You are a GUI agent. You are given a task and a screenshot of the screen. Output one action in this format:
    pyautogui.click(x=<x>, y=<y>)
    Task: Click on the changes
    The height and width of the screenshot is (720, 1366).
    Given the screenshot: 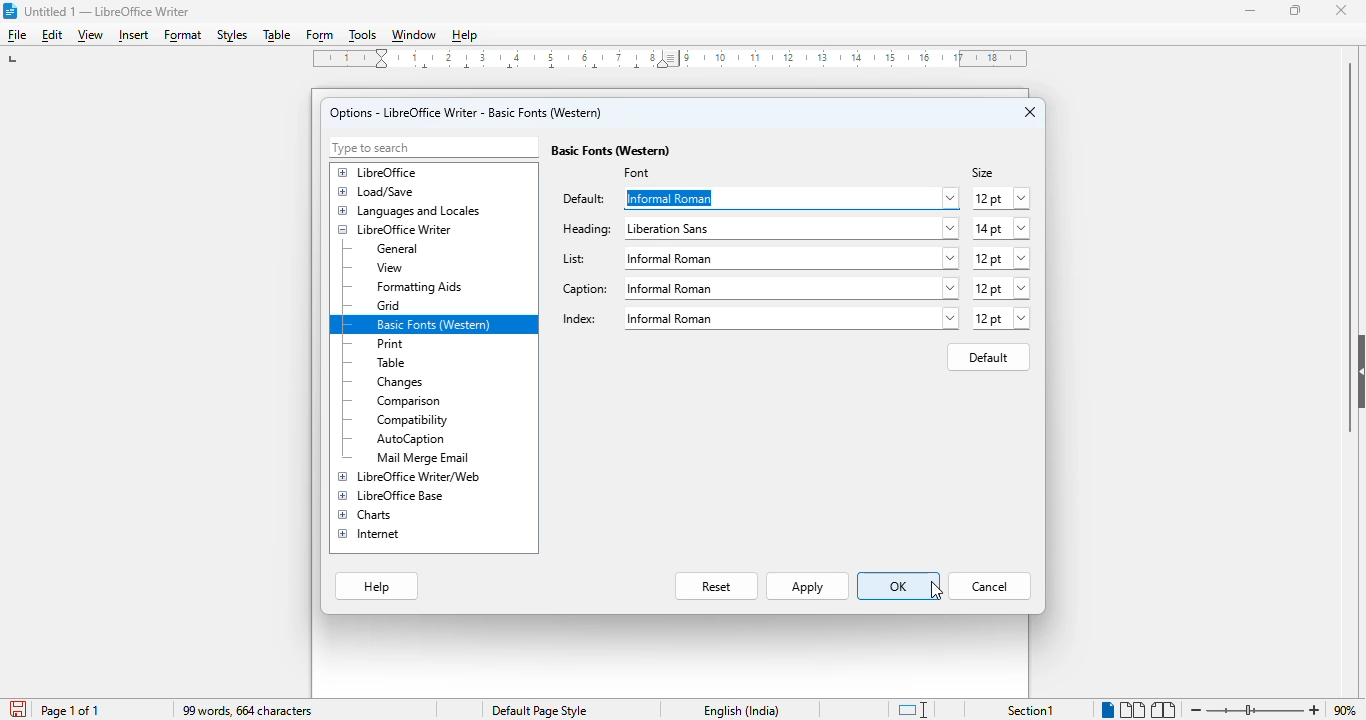 What is the action you would take?
    pyautogui.click(x=399, y=383)
    